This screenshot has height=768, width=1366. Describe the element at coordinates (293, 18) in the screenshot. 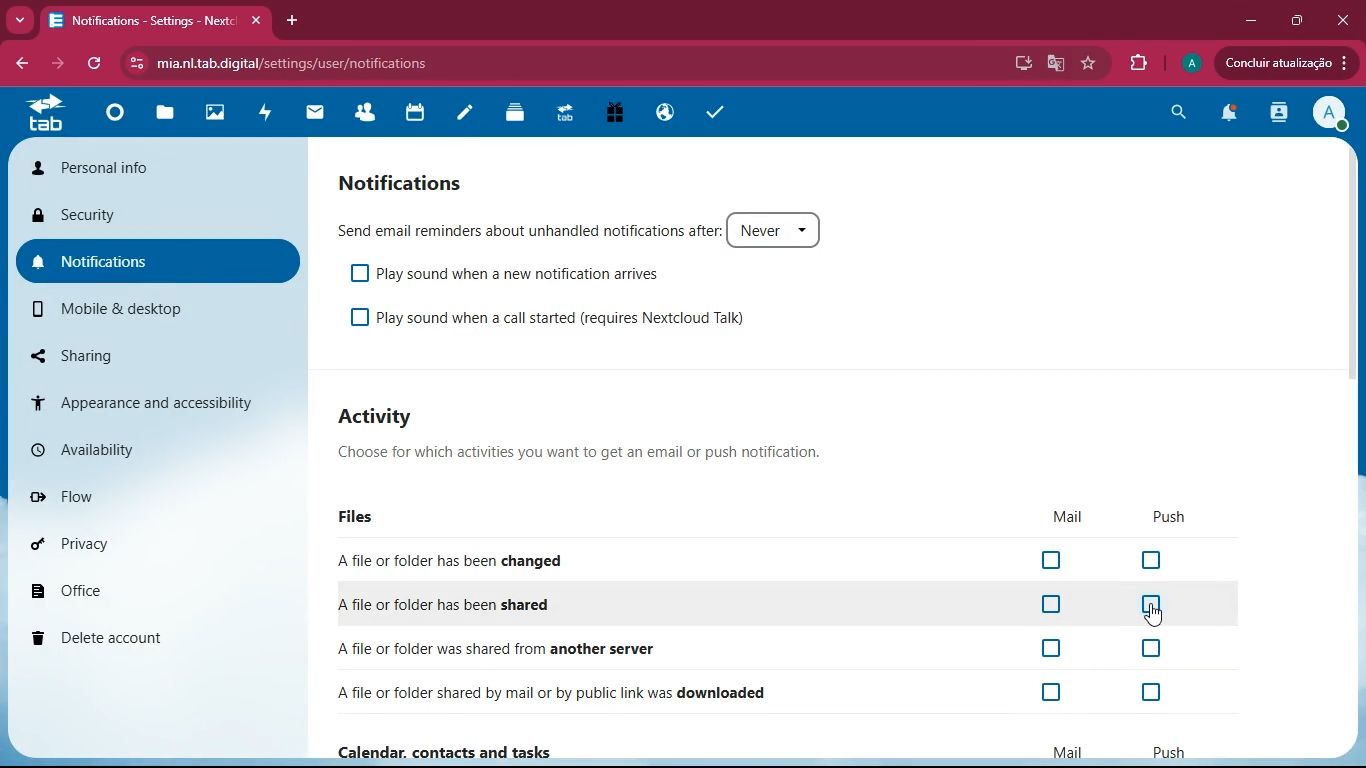

I see `add tab` at that location.